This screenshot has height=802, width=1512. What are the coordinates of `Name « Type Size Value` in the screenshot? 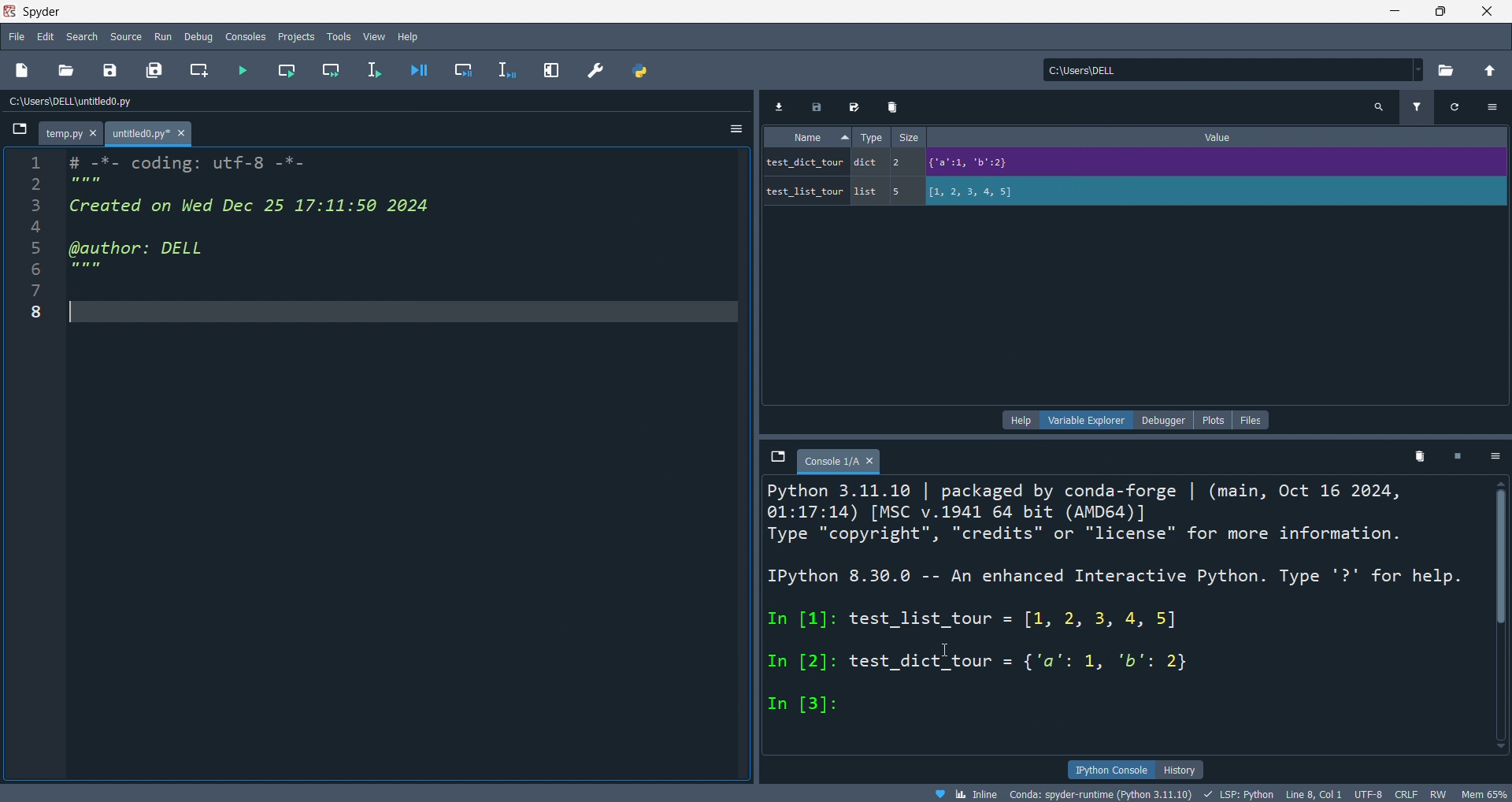 It's located at (1026, 139).